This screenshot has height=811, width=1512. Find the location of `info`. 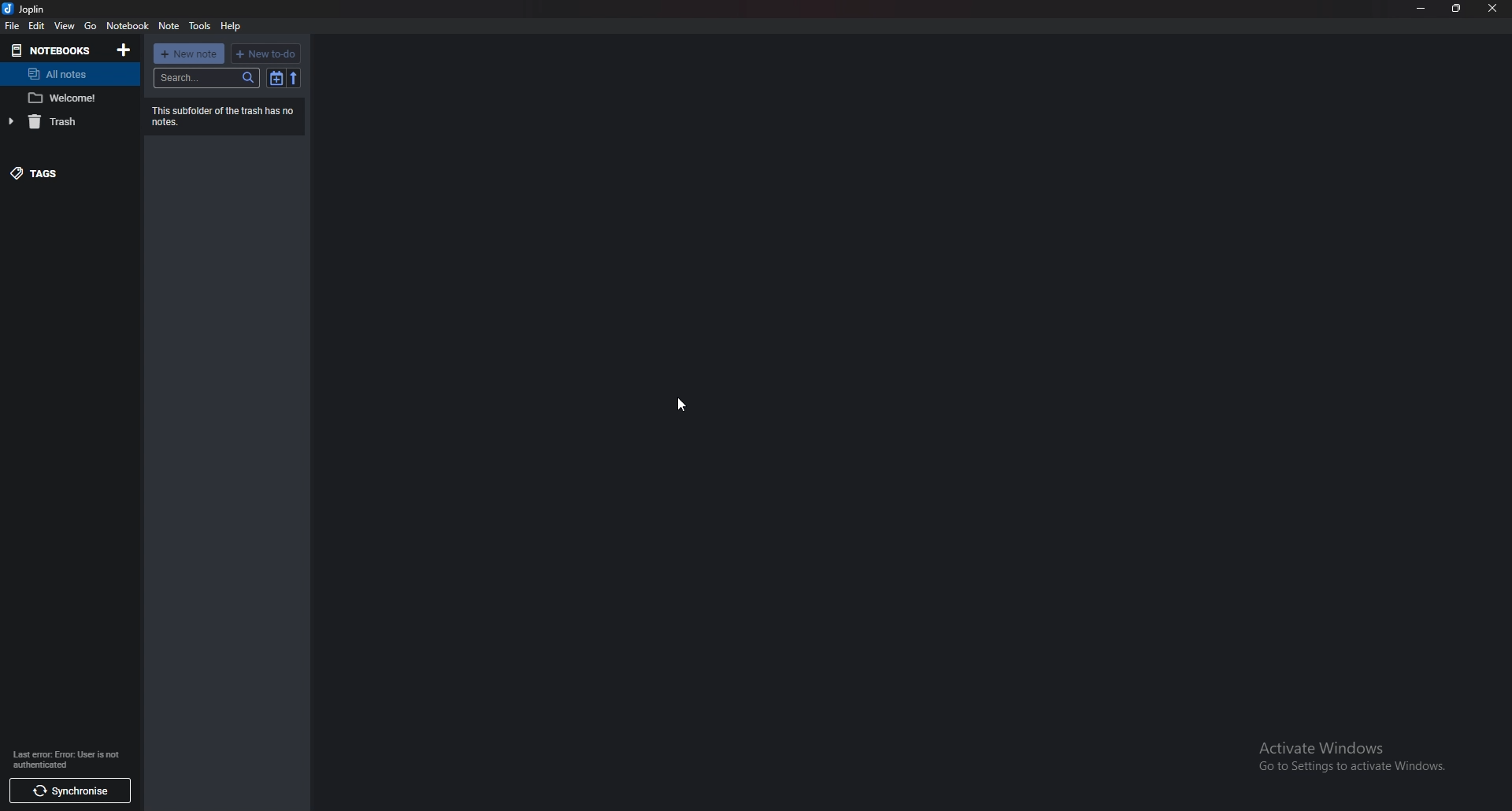

info is located at coordinates (223, 117).